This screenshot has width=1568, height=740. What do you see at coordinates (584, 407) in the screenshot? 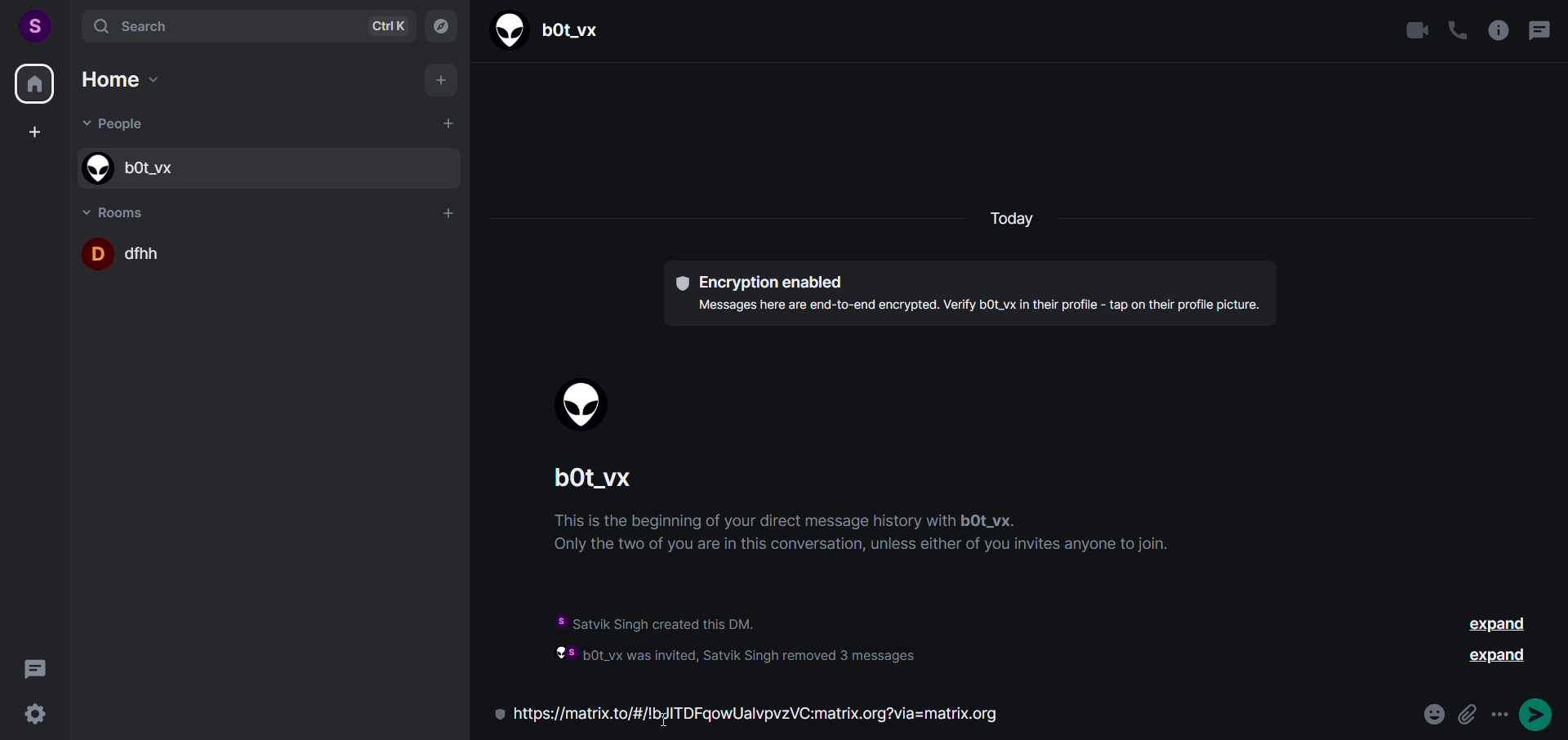
I see `display picture` at bounding box center [584, 407].